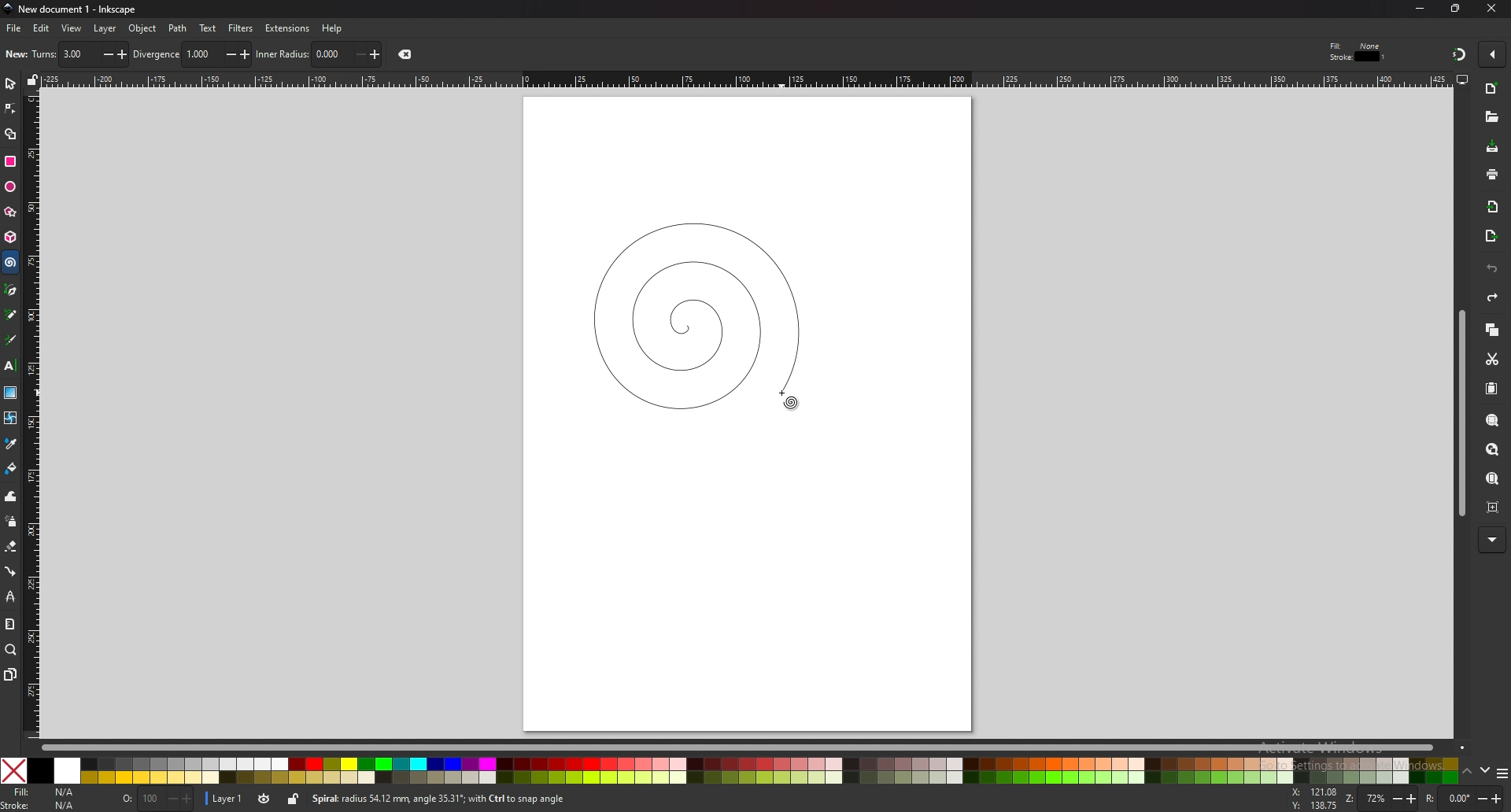  I want to click on connector, so click(10, 572).